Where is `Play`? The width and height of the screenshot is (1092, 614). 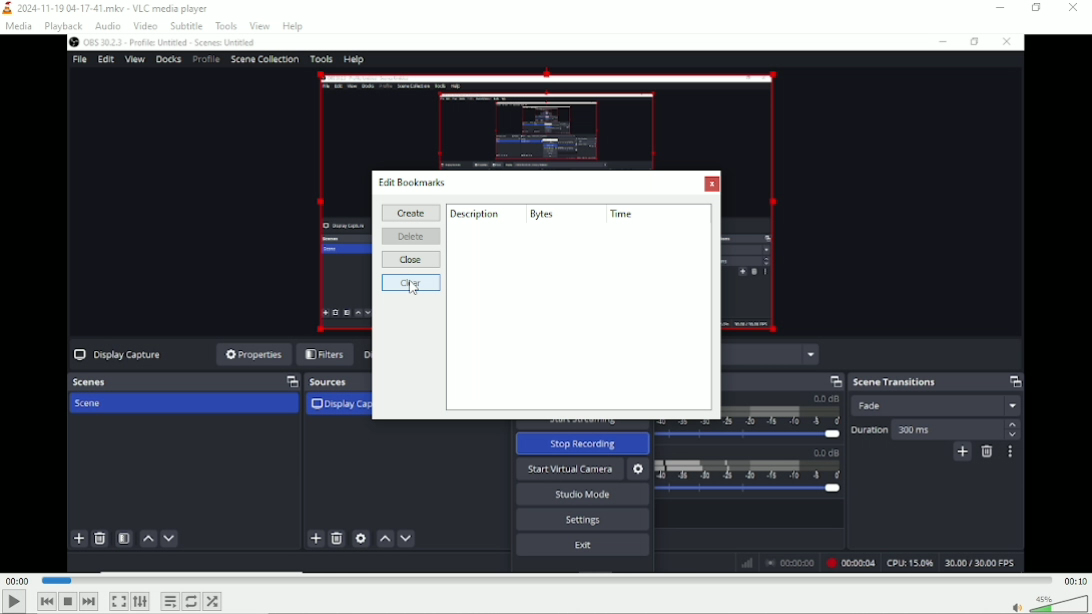
Play is located at coordinates (13, 602).